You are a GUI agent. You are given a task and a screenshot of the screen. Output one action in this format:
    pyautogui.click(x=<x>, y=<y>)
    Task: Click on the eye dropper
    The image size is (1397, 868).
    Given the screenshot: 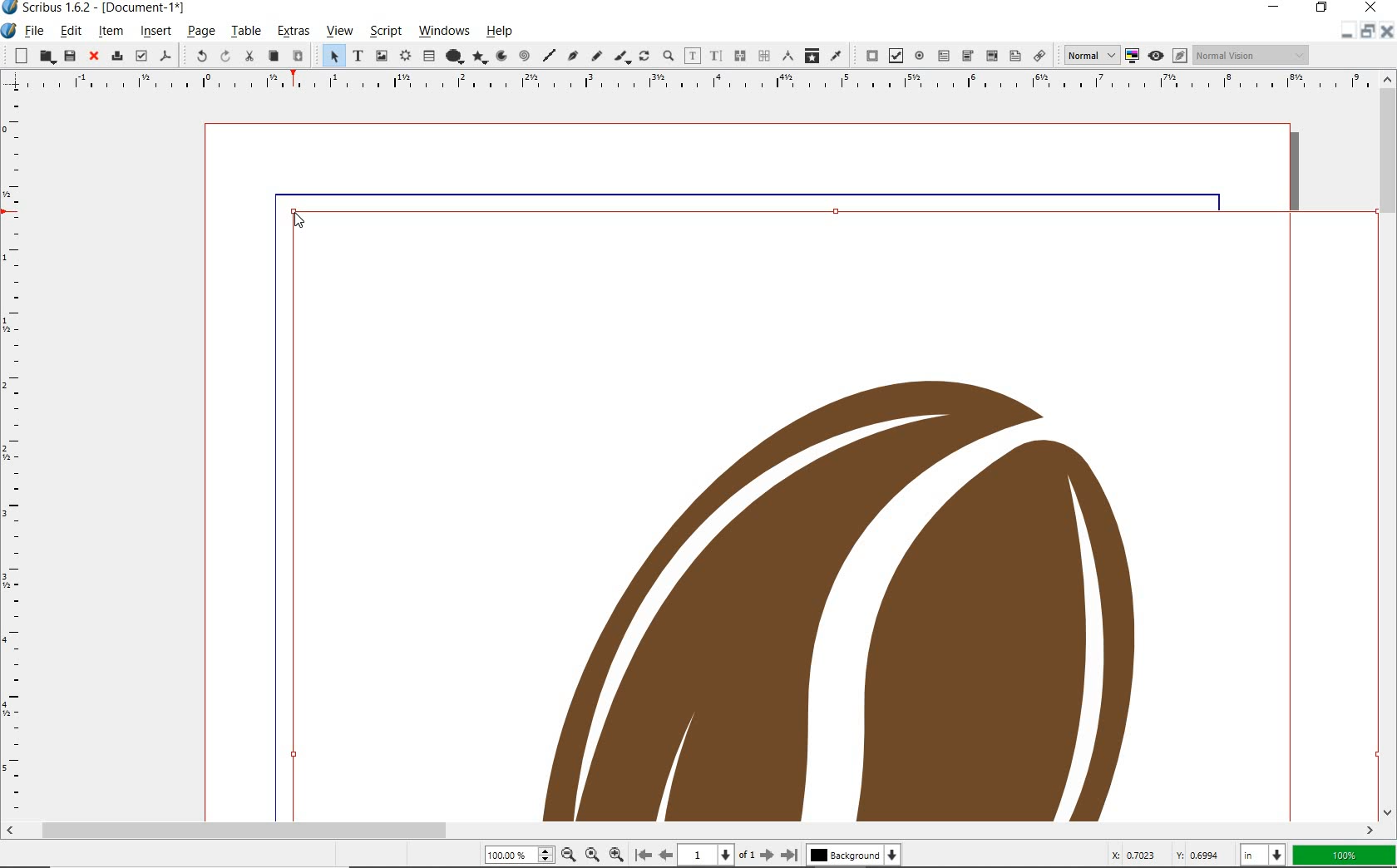 What is the action you would take?
    pyautogui.click(x=836, y=56)
    